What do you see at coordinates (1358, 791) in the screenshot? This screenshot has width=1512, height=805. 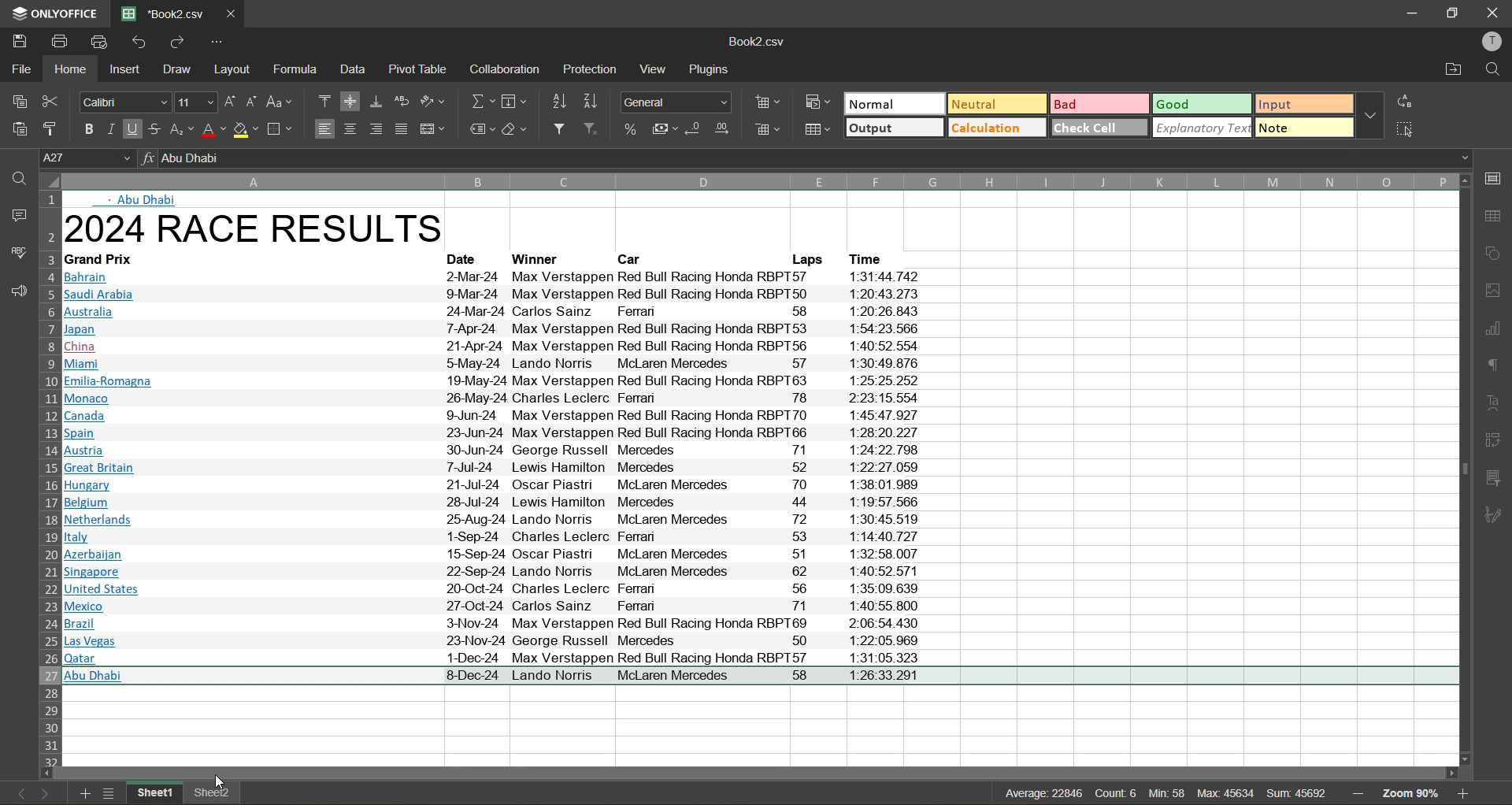 I see `zoom out` at bounding box center [1358, 791].